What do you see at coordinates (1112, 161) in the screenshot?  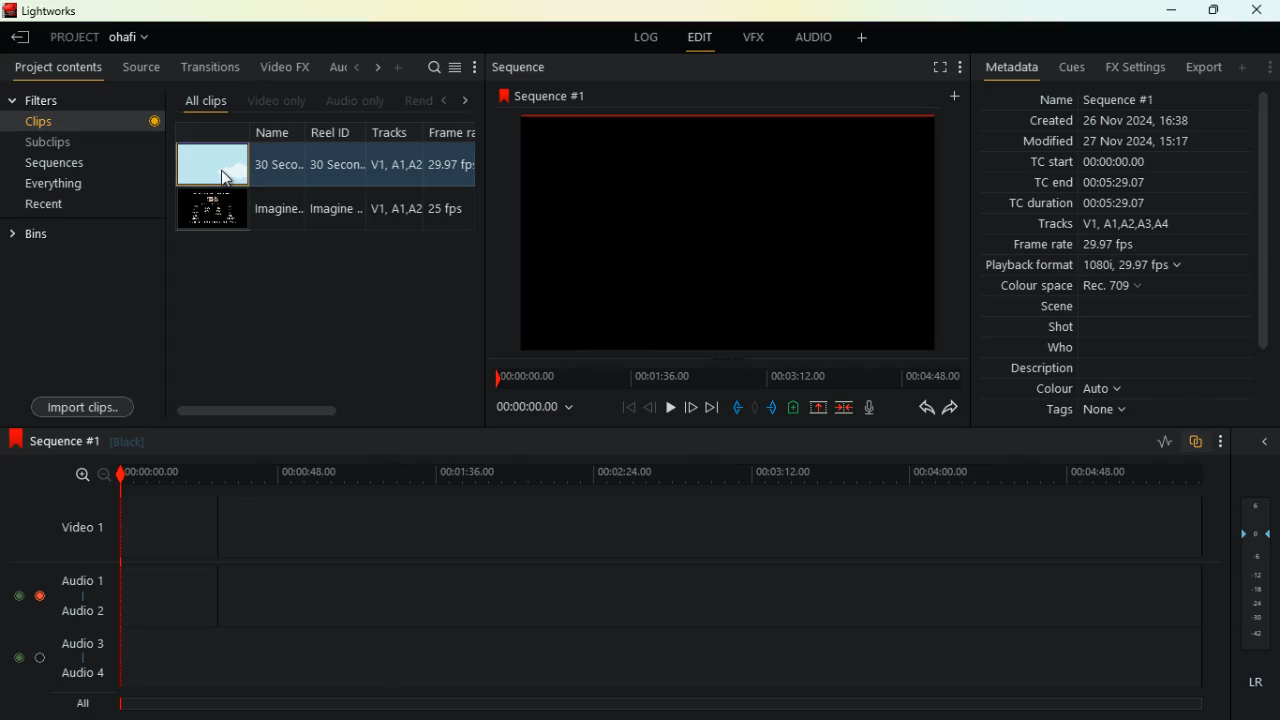 I see `tc start` at bounding box center [1112, 161].